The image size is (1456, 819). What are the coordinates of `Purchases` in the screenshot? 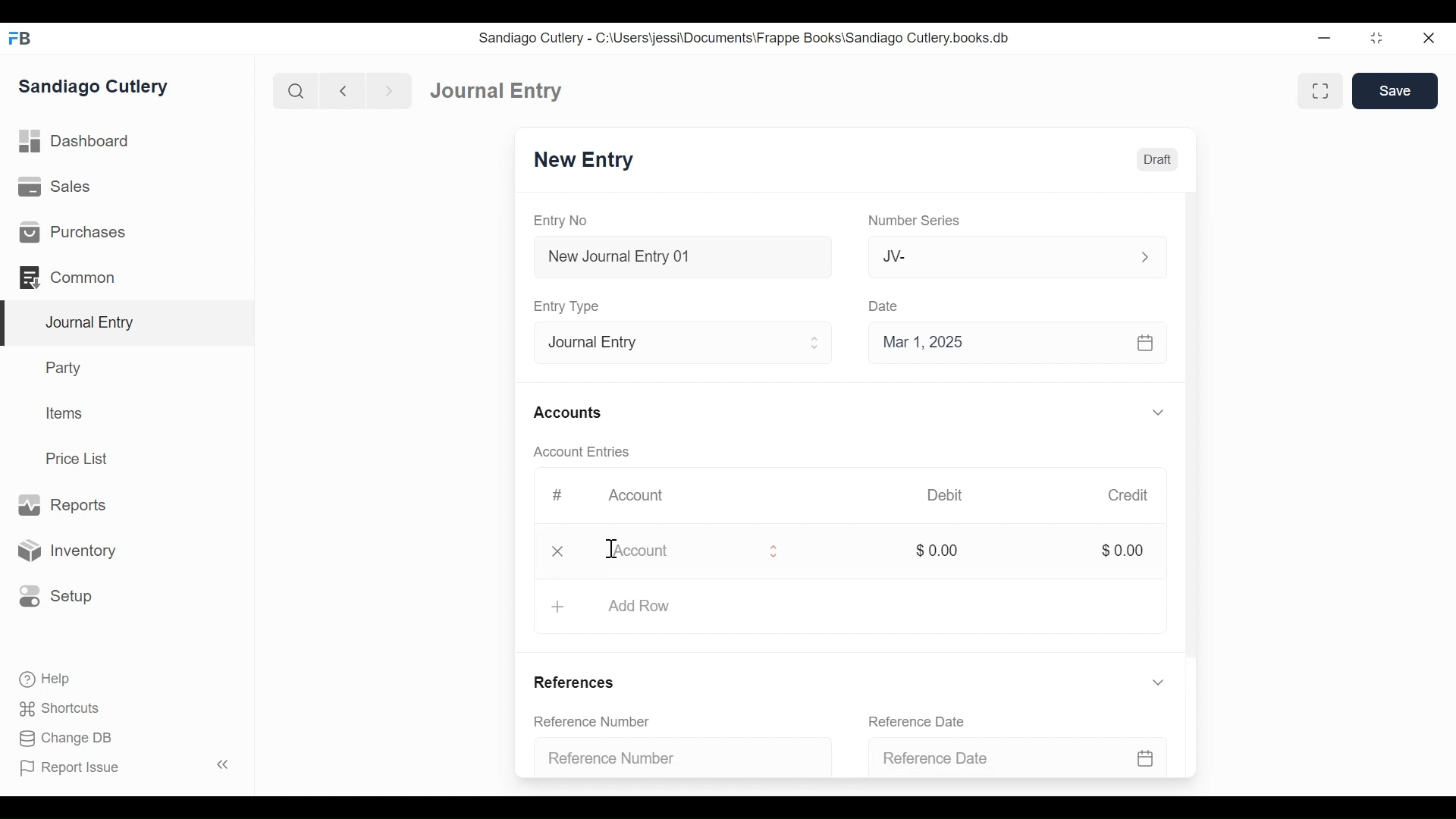 It's located at (127, 231).